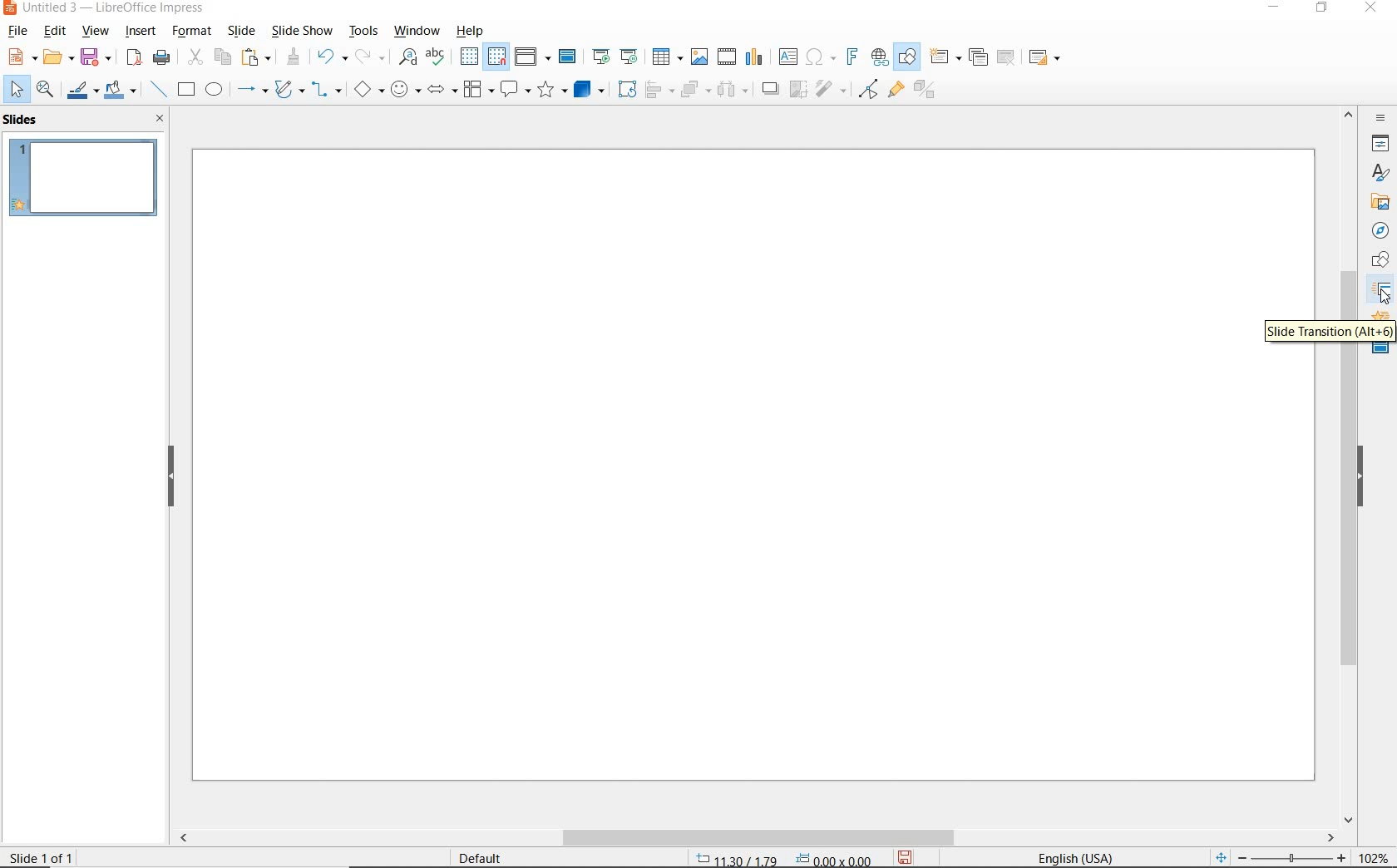 Image resolution: width=1397 pixels, height=868 pixels. Describe the element at coordinates (171, 476) in the screenshot. I see `HIDE` at that location.